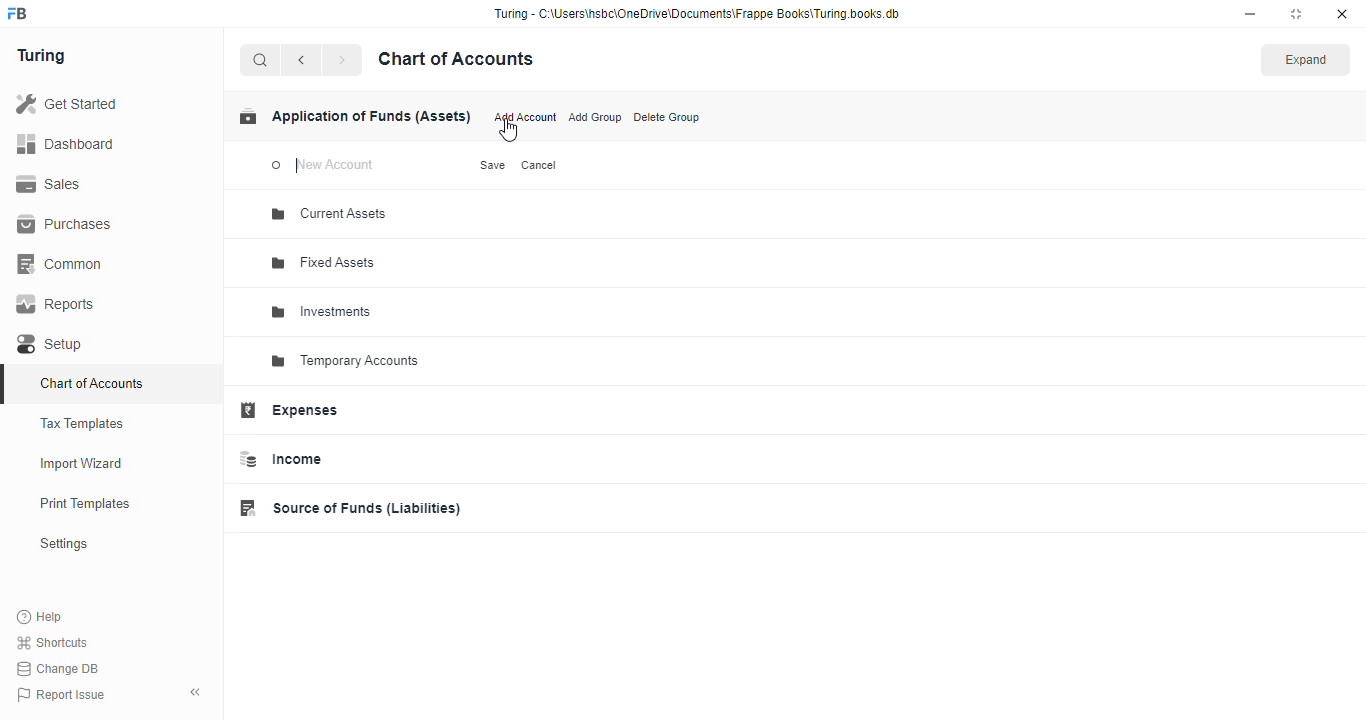 This screenshot has width=1366, height=720. What do you see at coordinates (61, 264) in the screenshot?
I see `common` at bounding box center [61, 264].